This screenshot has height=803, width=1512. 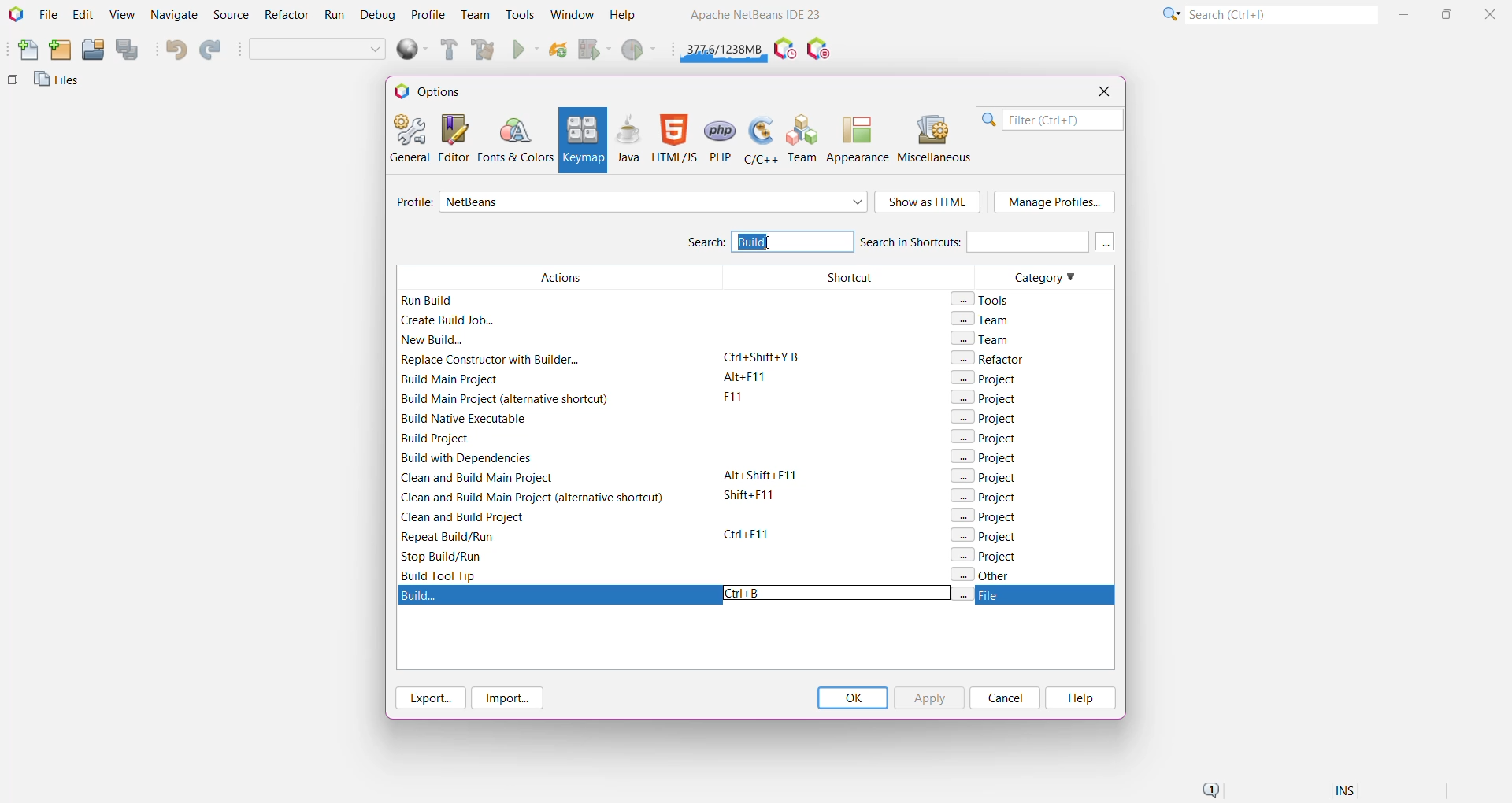 I want to click on Options, so click(x=435, y=91).